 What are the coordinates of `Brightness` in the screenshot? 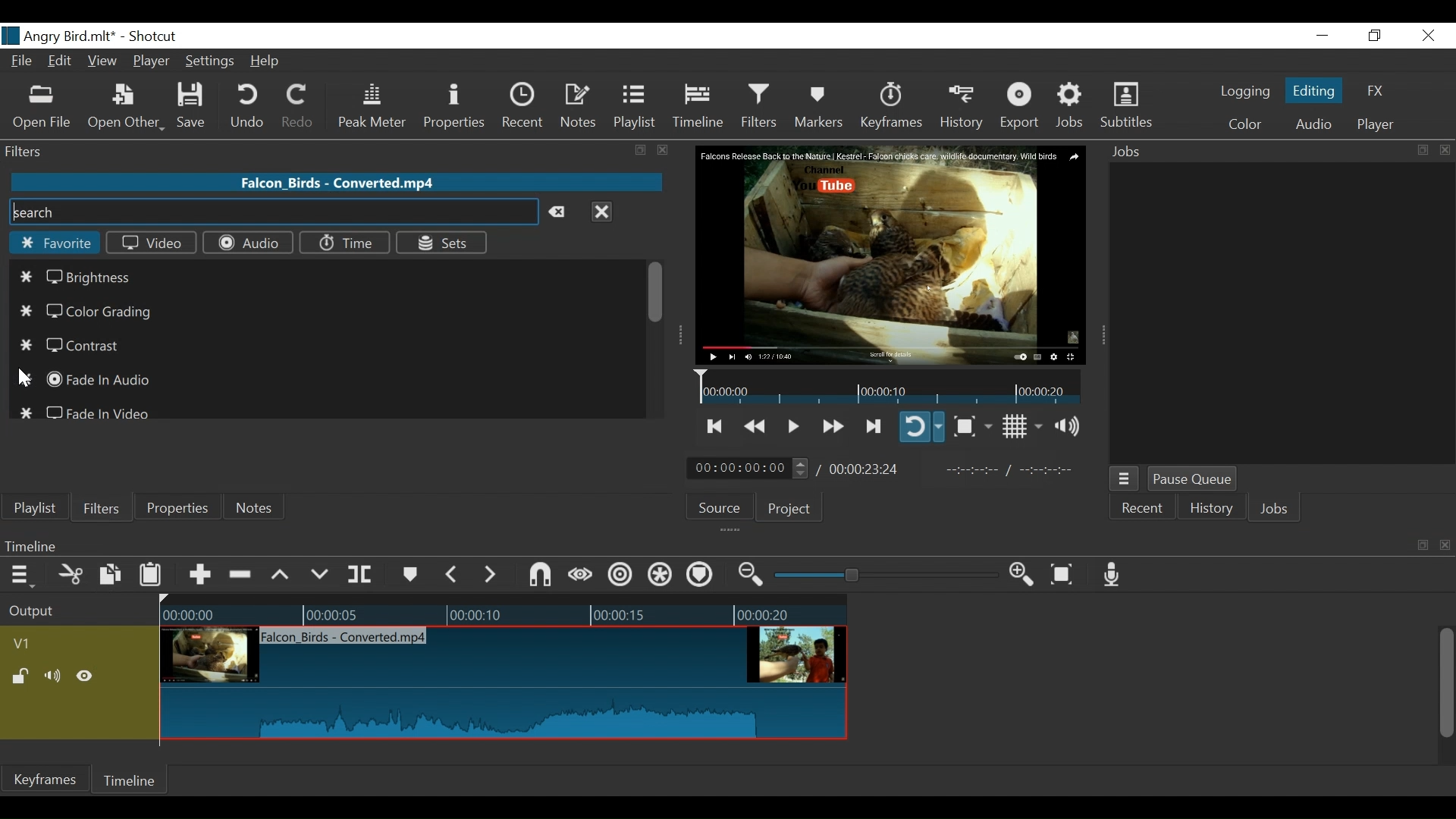 It's located at (81, 276).